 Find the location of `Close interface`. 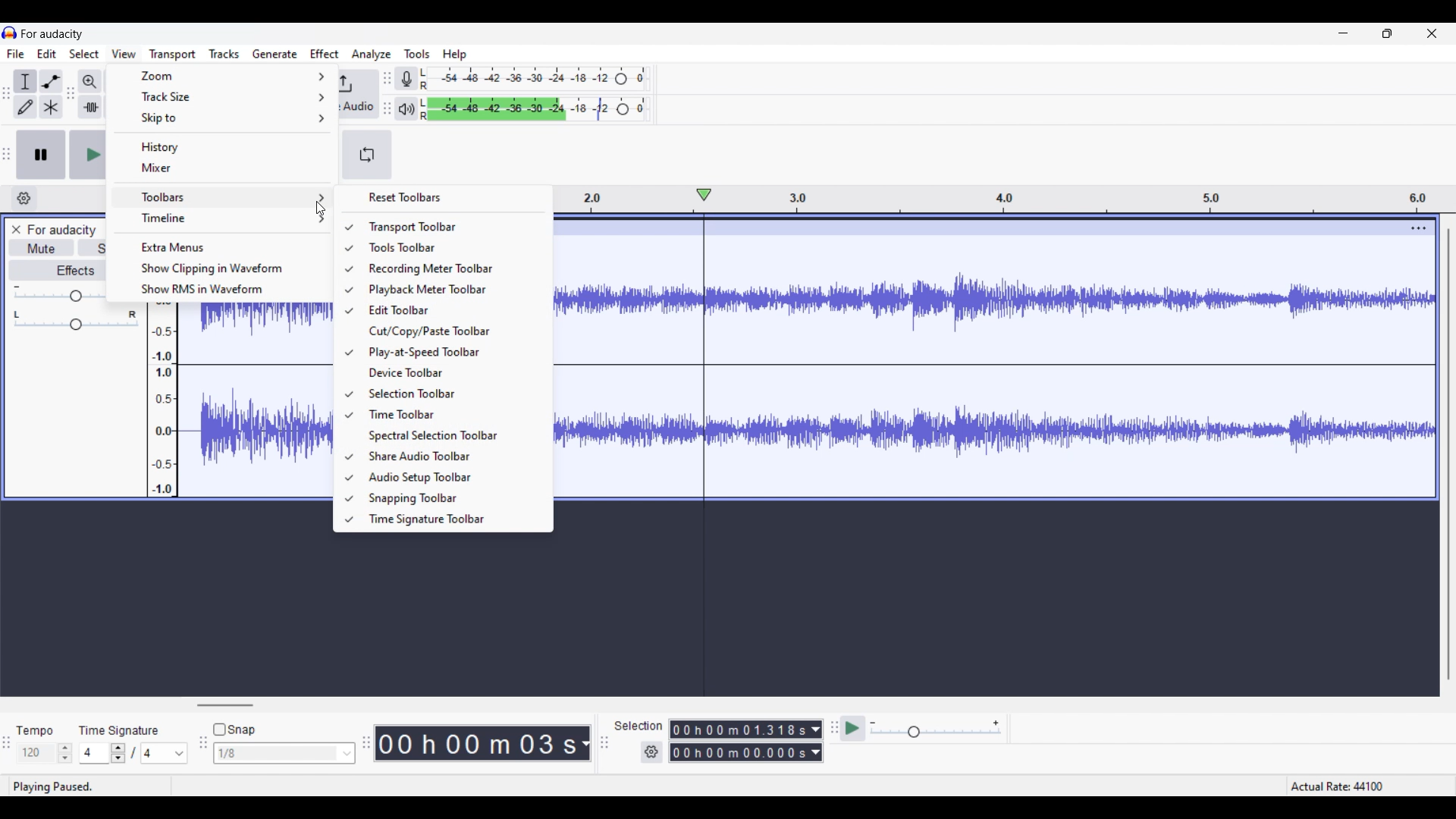

Close interface is located at coordinates (1432, 33).